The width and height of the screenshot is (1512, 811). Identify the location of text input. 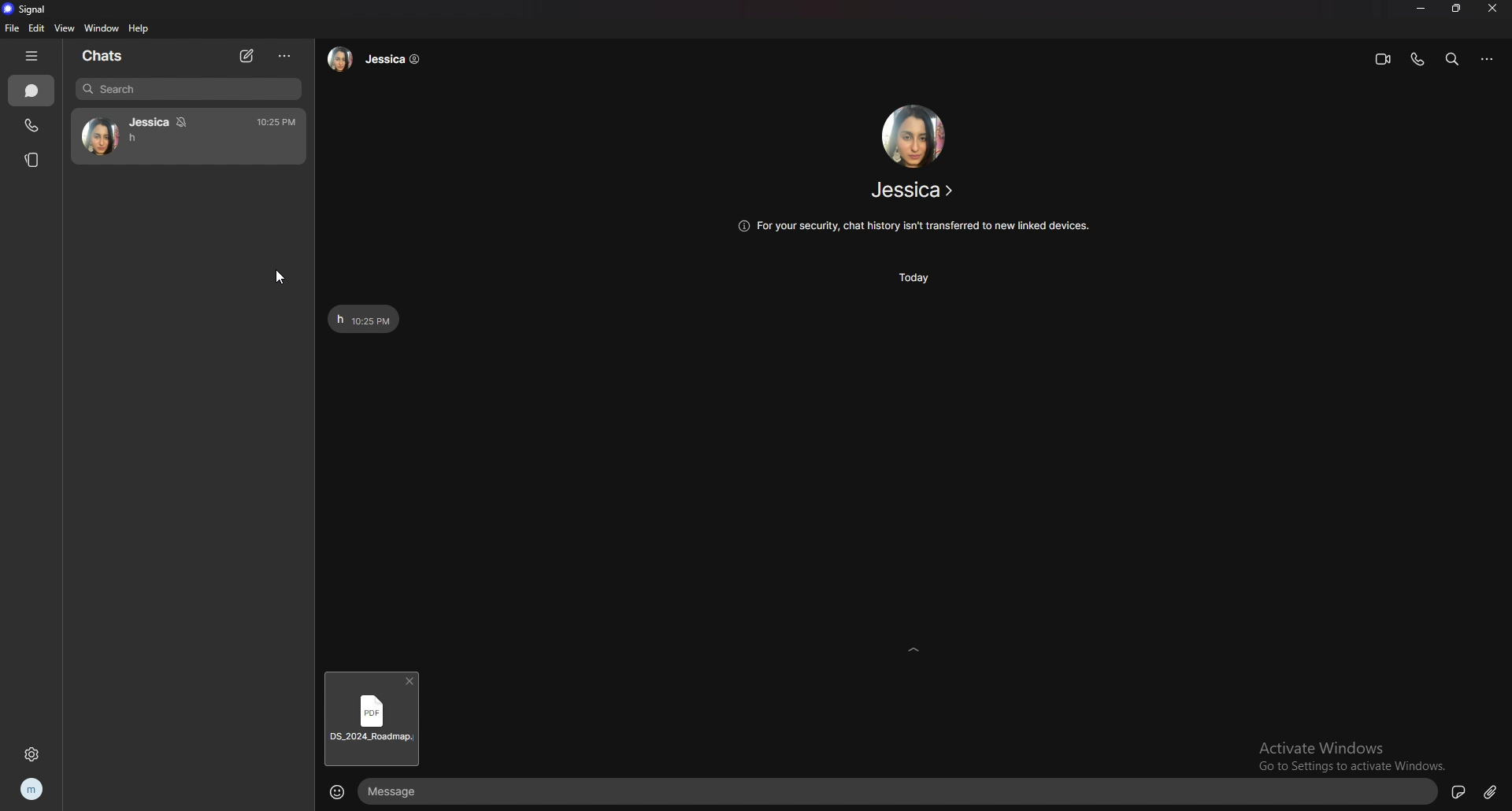
(884, 792).